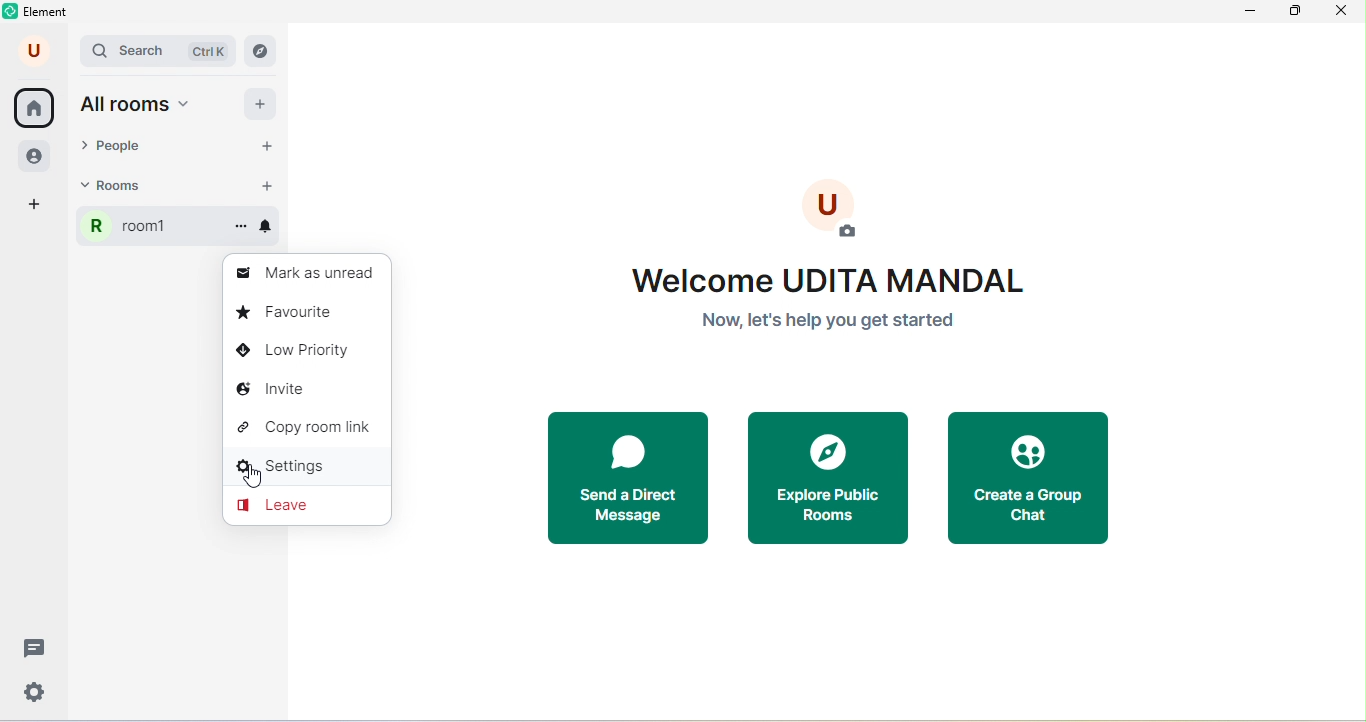  What do you see at coordinates (617, 476) in the screenshot?
I see `send a direct message` at bounding box center [617, 476].